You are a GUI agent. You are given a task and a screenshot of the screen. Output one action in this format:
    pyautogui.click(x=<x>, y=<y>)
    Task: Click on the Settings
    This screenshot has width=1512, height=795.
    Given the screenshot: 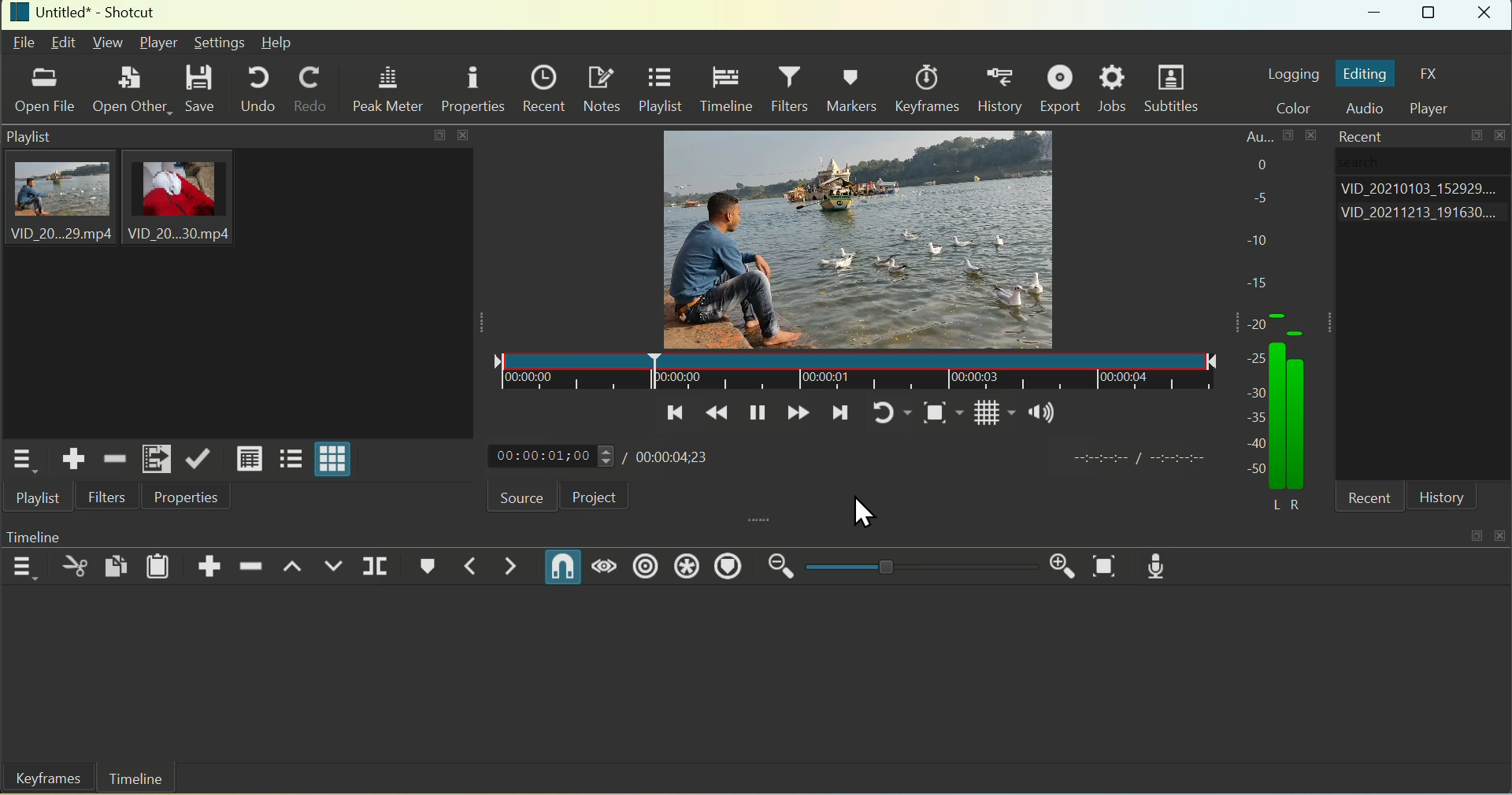 What is the action you would take?
    pyautogui.click(x=219, y=43)
    